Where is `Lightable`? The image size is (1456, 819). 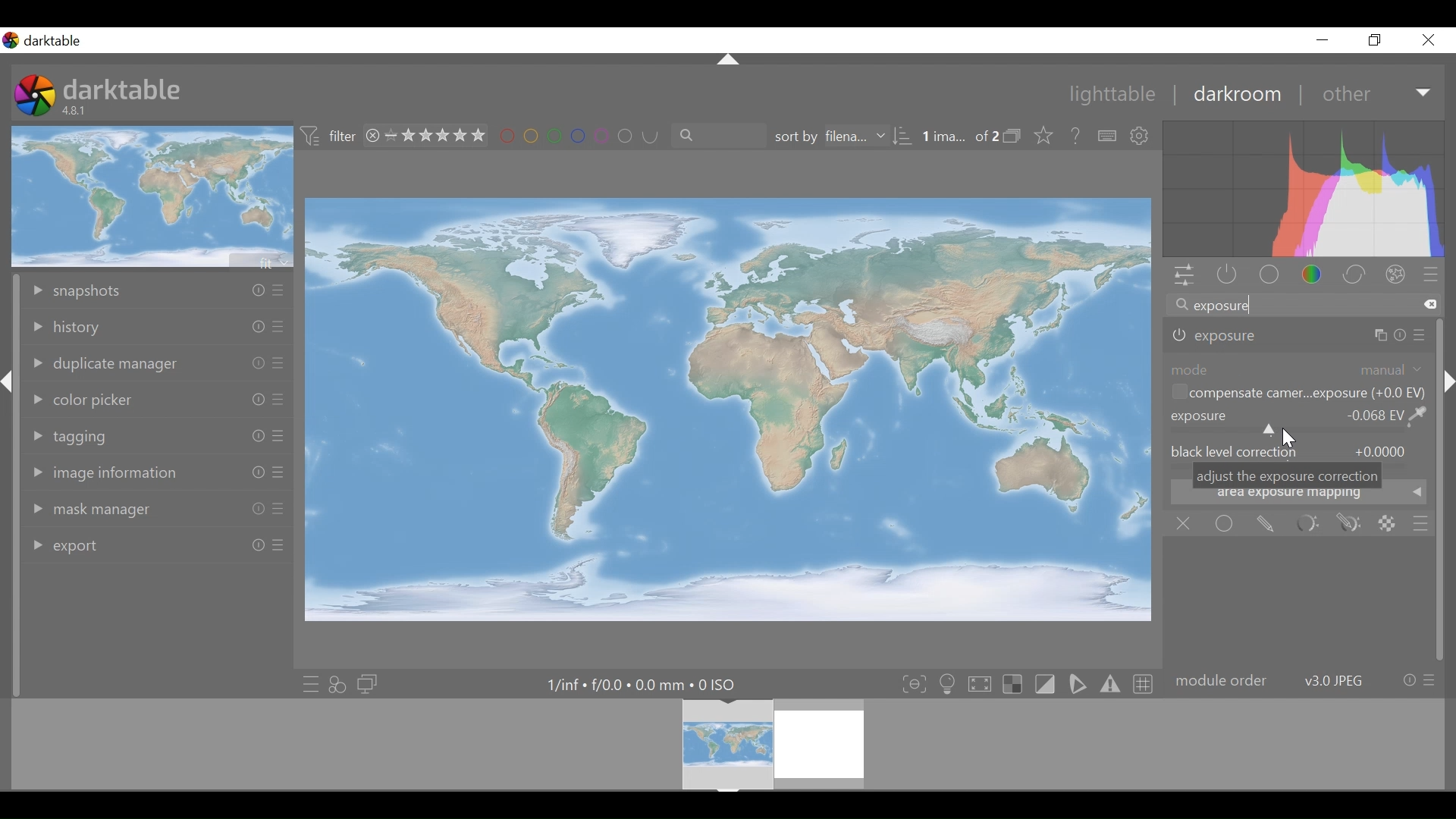
Lightable is located at coordinates (1105, 93).